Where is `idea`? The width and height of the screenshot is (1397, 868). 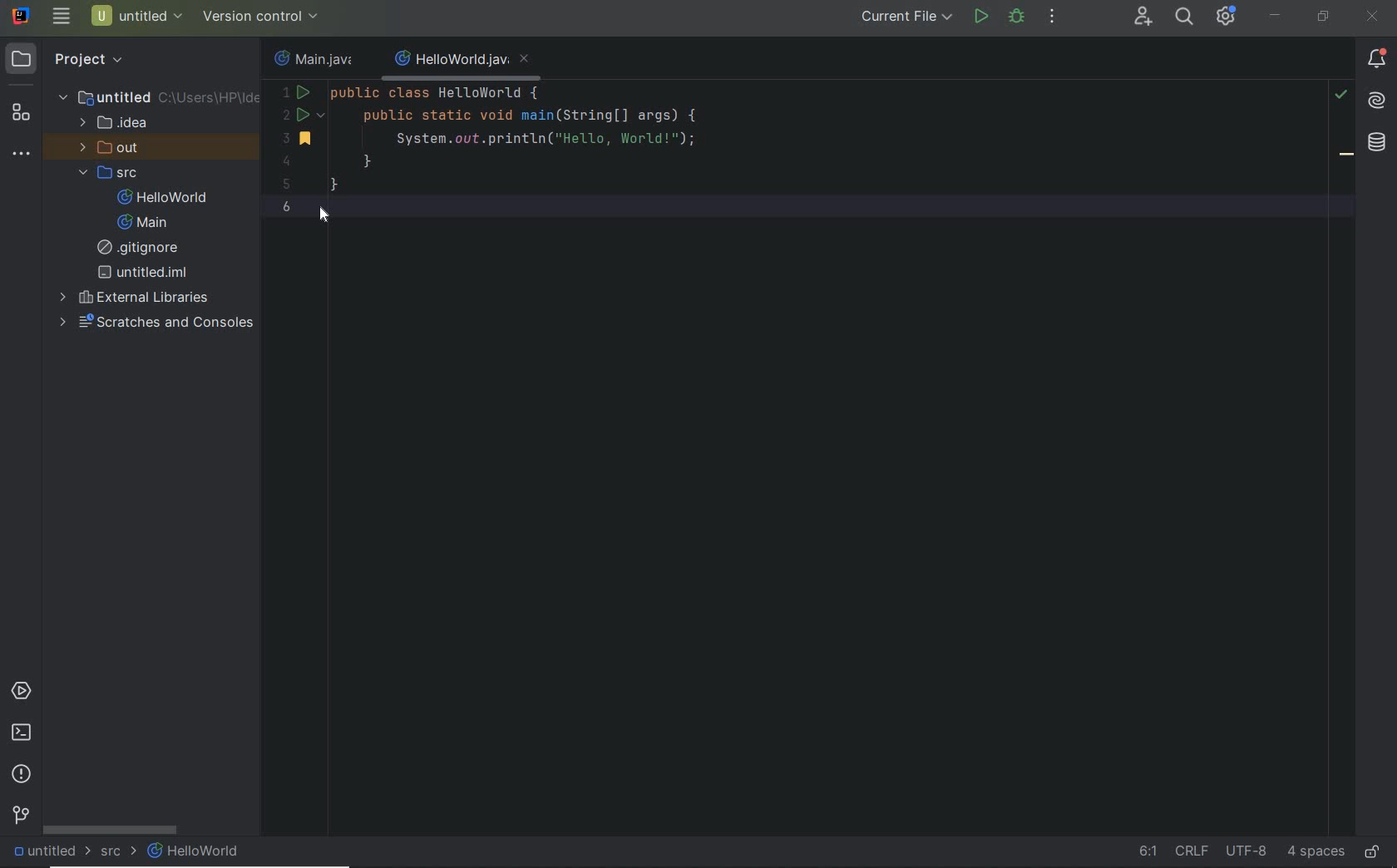
idea is located at coordinates (116, 121).